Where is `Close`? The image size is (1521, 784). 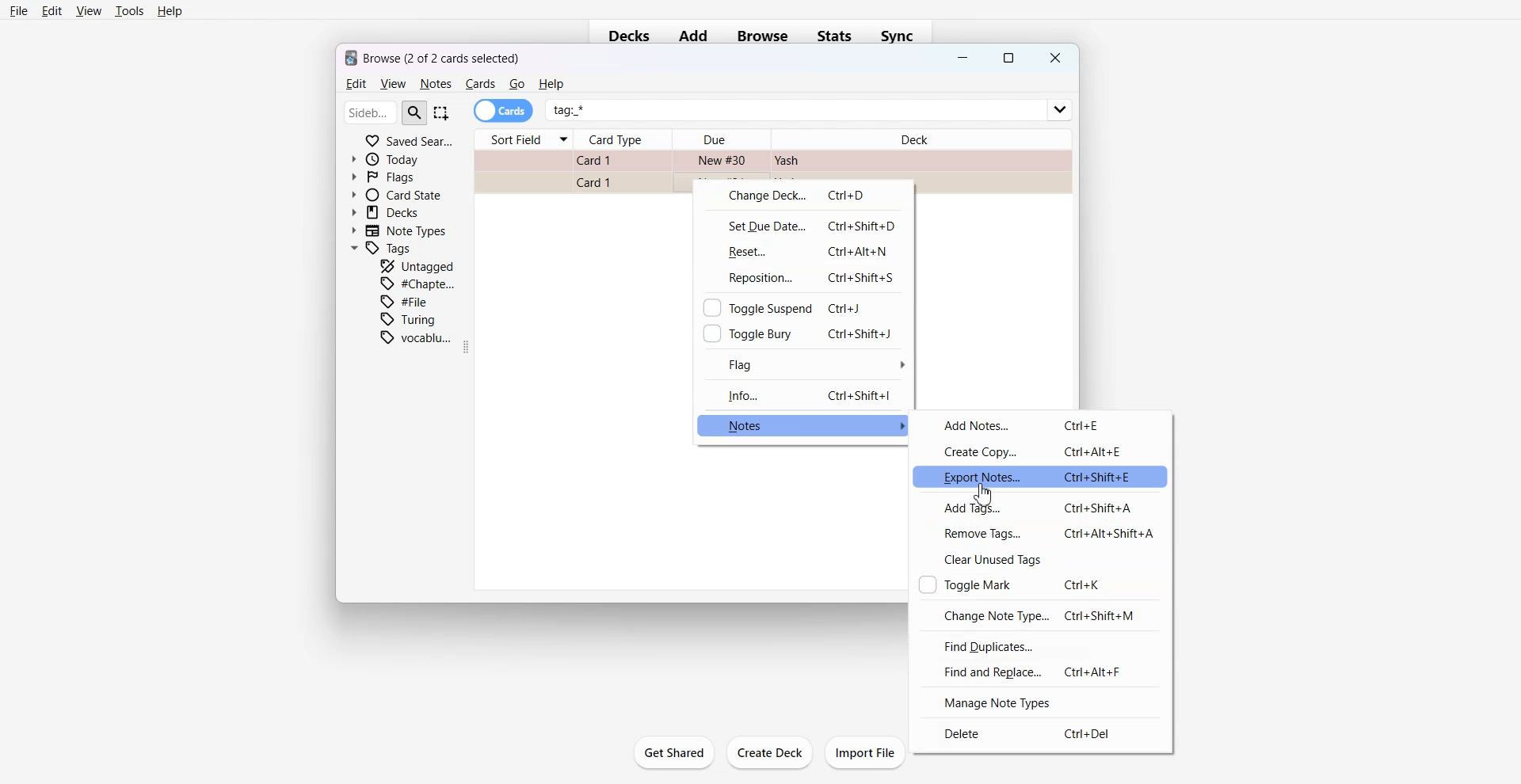 Close is located at coordinates (1054, 58).